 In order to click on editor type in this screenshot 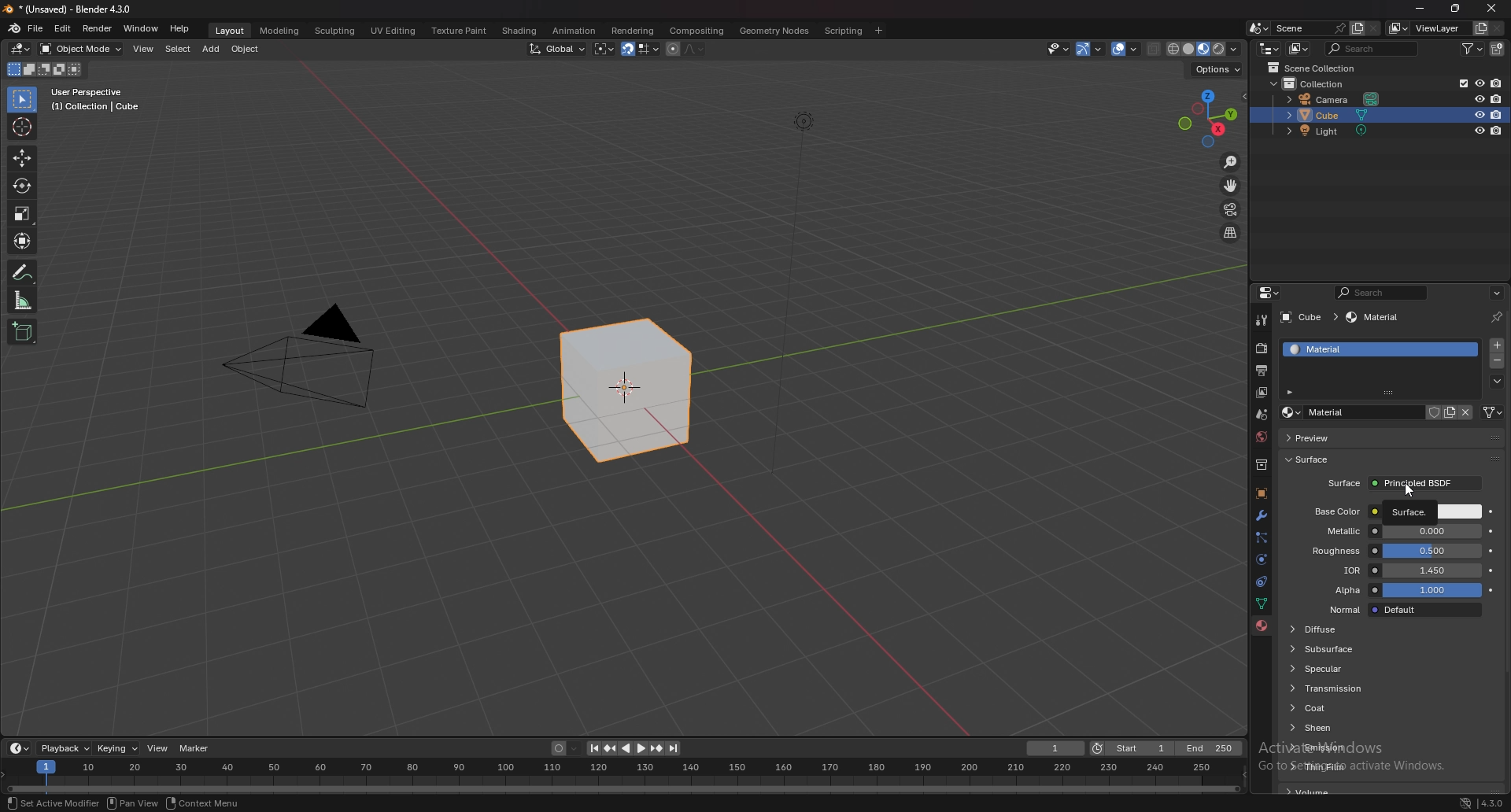, I will do `click(19, 748)`.